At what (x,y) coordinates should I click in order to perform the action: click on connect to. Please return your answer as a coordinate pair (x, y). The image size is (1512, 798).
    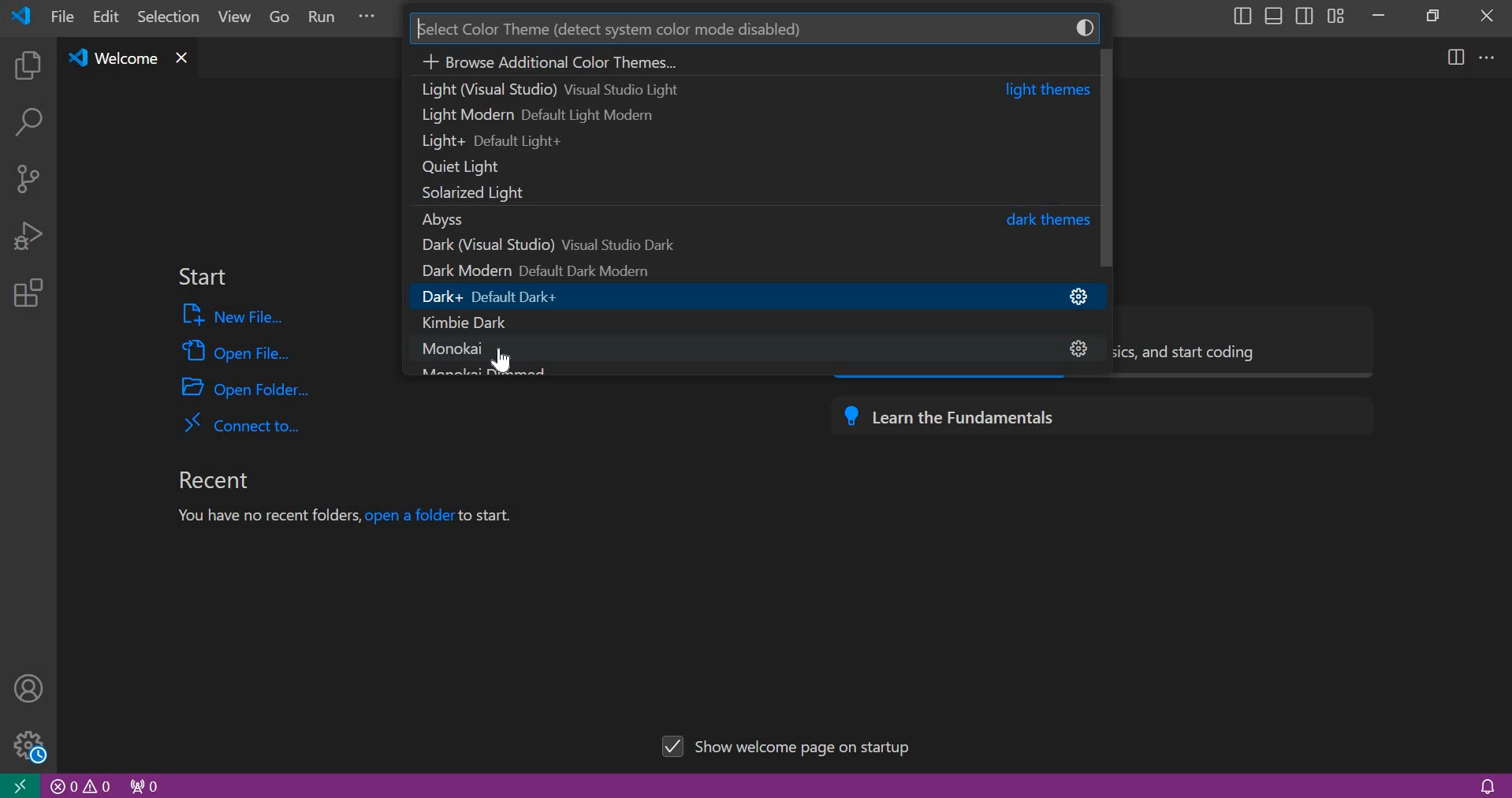
    Looking at the image, I should click on (241, 423).